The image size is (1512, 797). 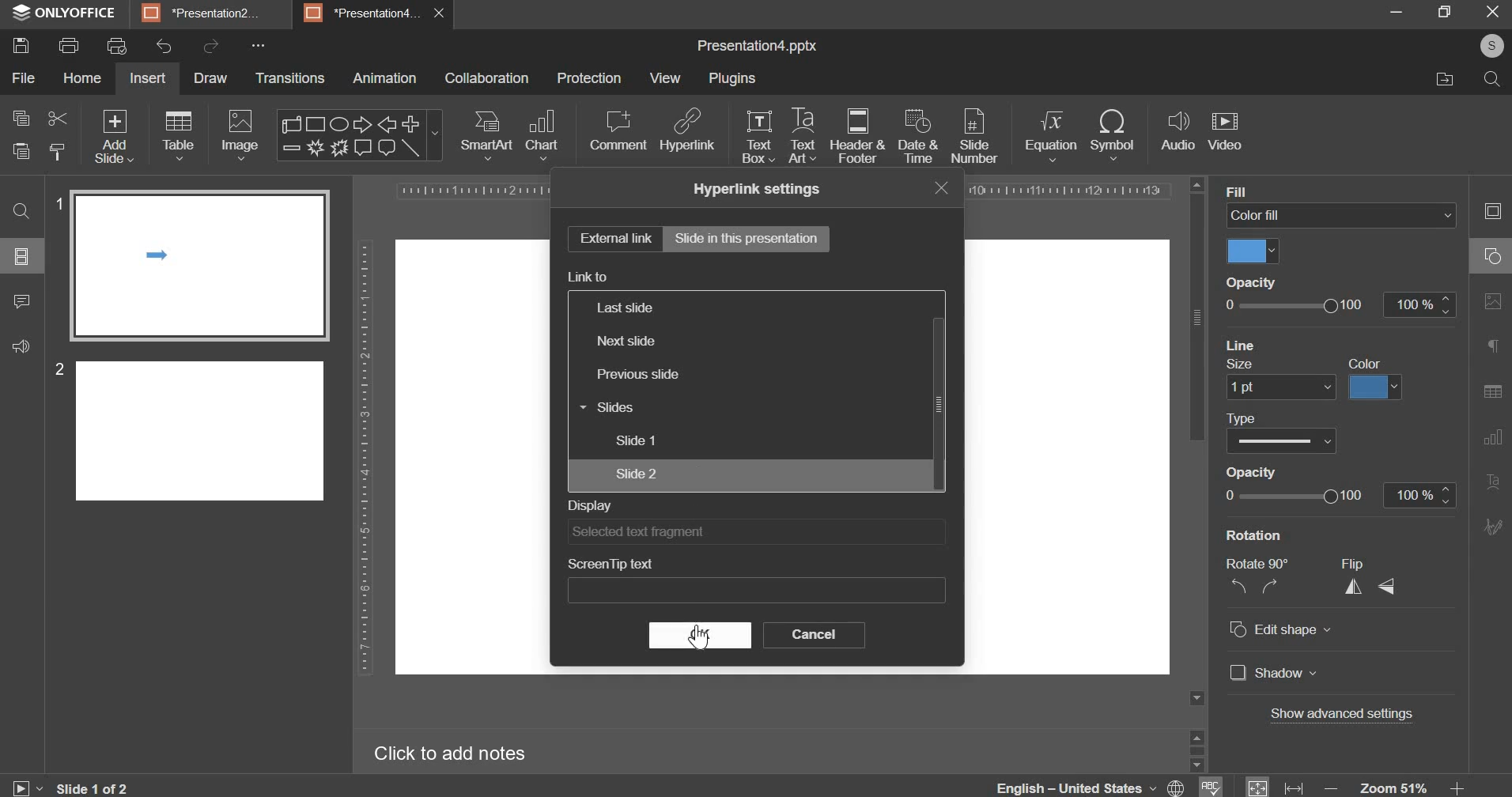 I want to click on , so click(x=1291, y=500).